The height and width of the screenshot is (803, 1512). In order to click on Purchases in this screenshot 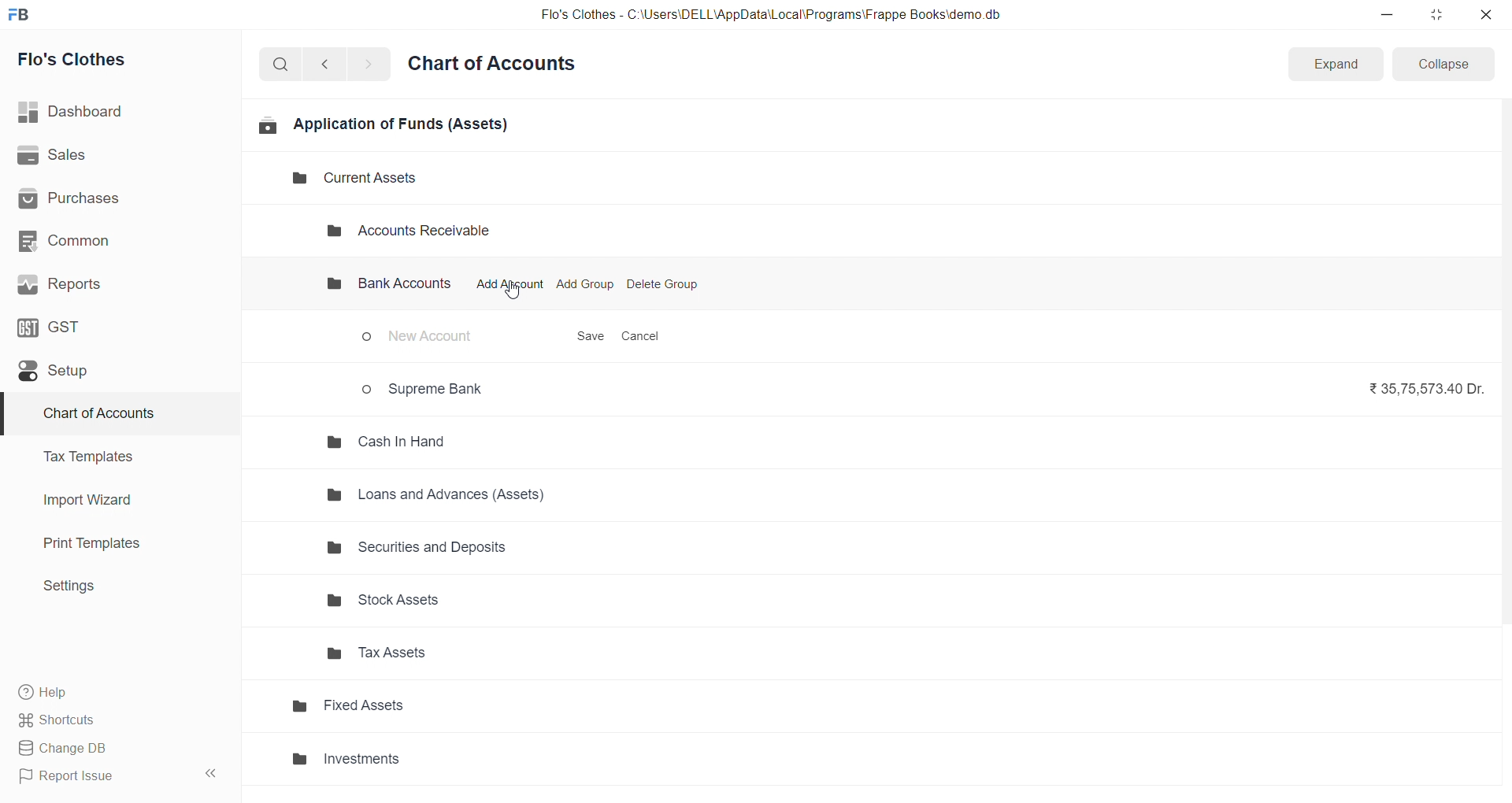, I will do `click(113, 199)`.